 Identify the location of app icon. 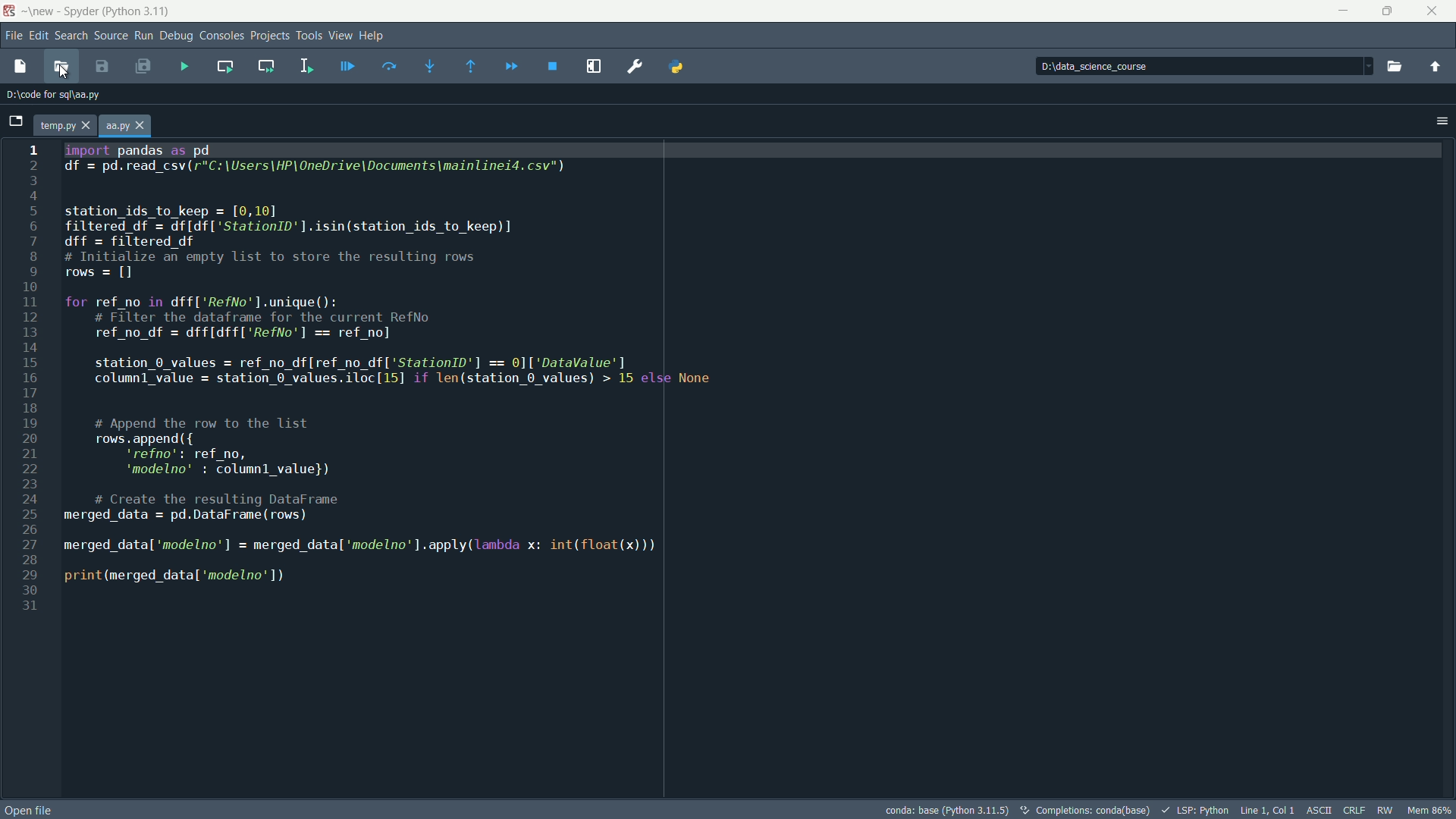
(10, 11).